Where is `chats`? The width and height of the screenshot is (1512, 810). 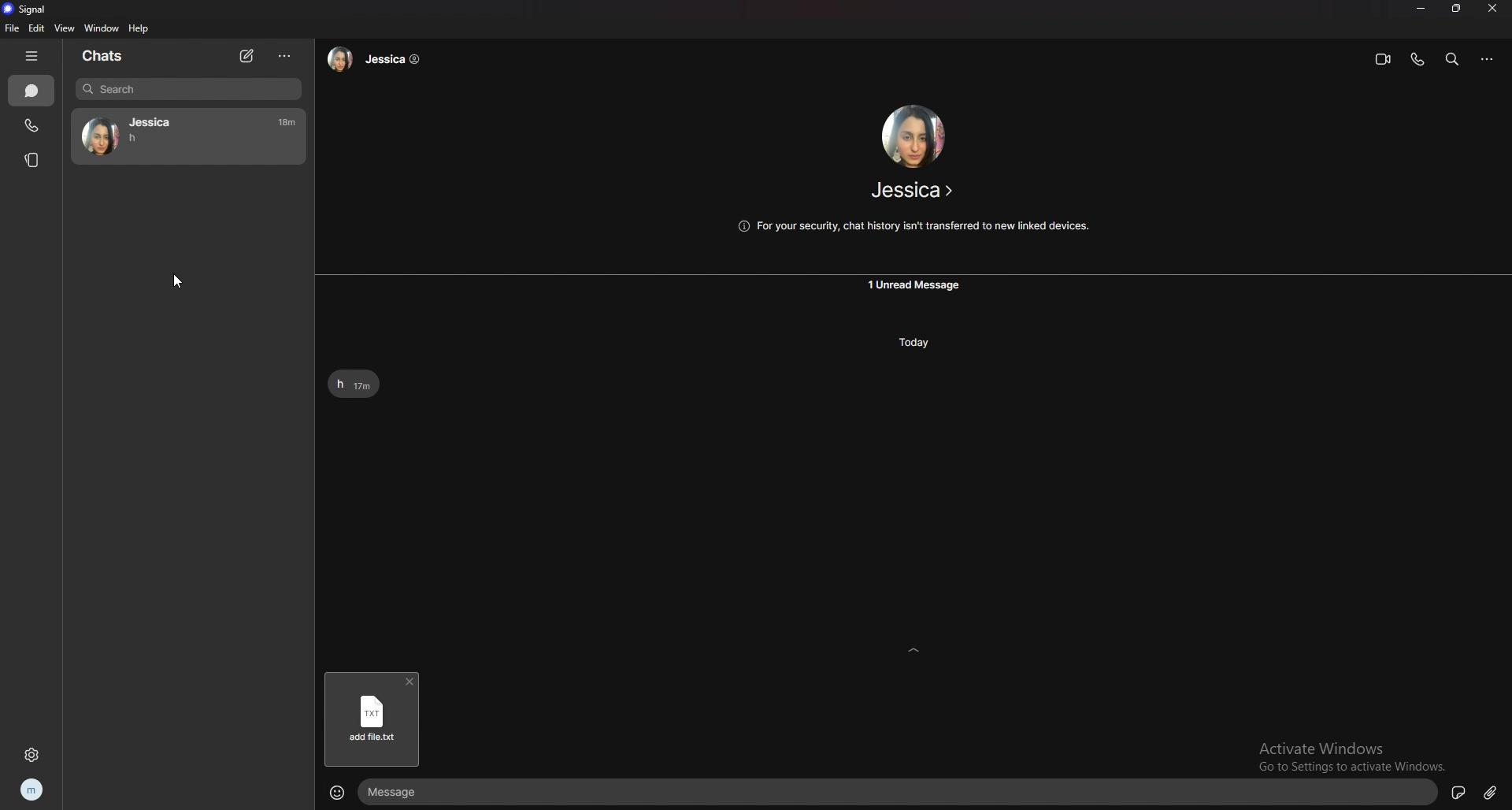 chats is located at coordinates (32, 91).